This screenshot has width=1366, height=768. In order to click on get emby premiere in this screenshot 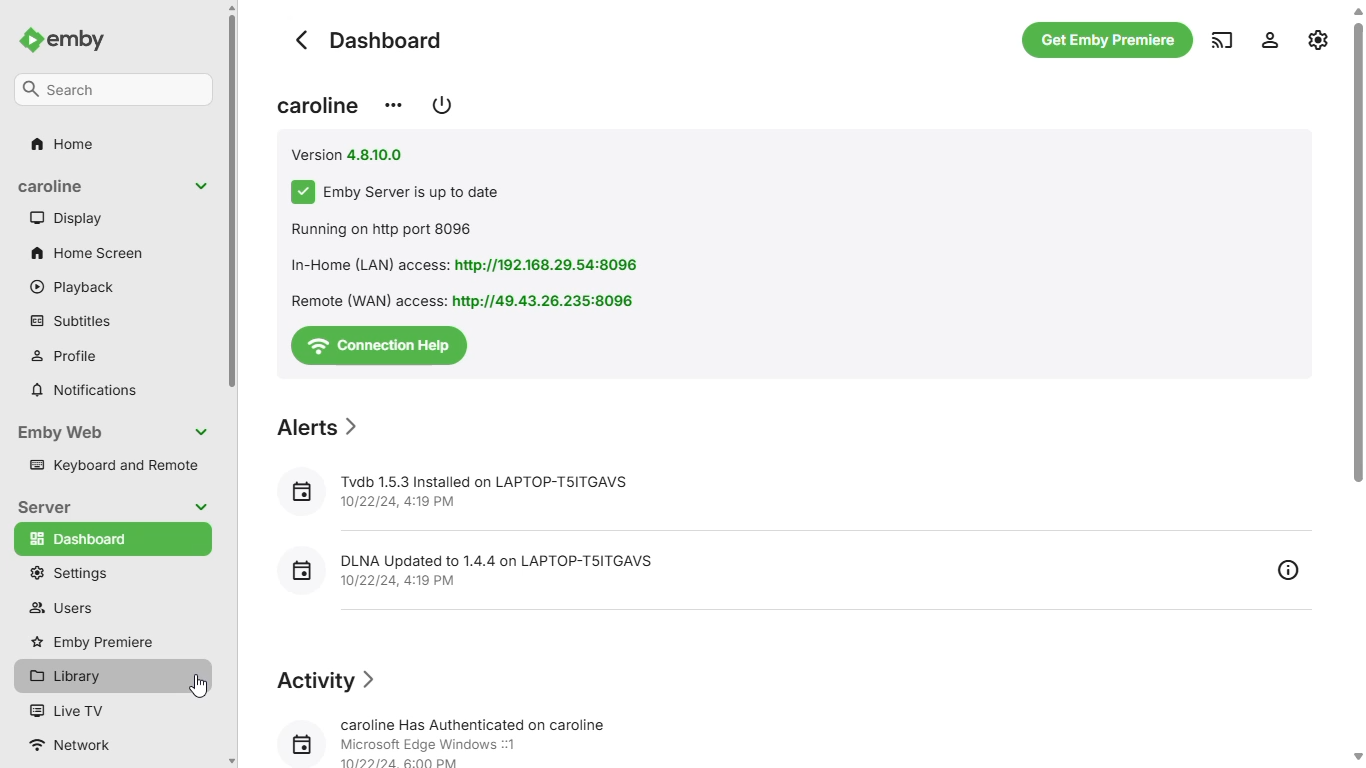, I will do `click(1108, 40)`.